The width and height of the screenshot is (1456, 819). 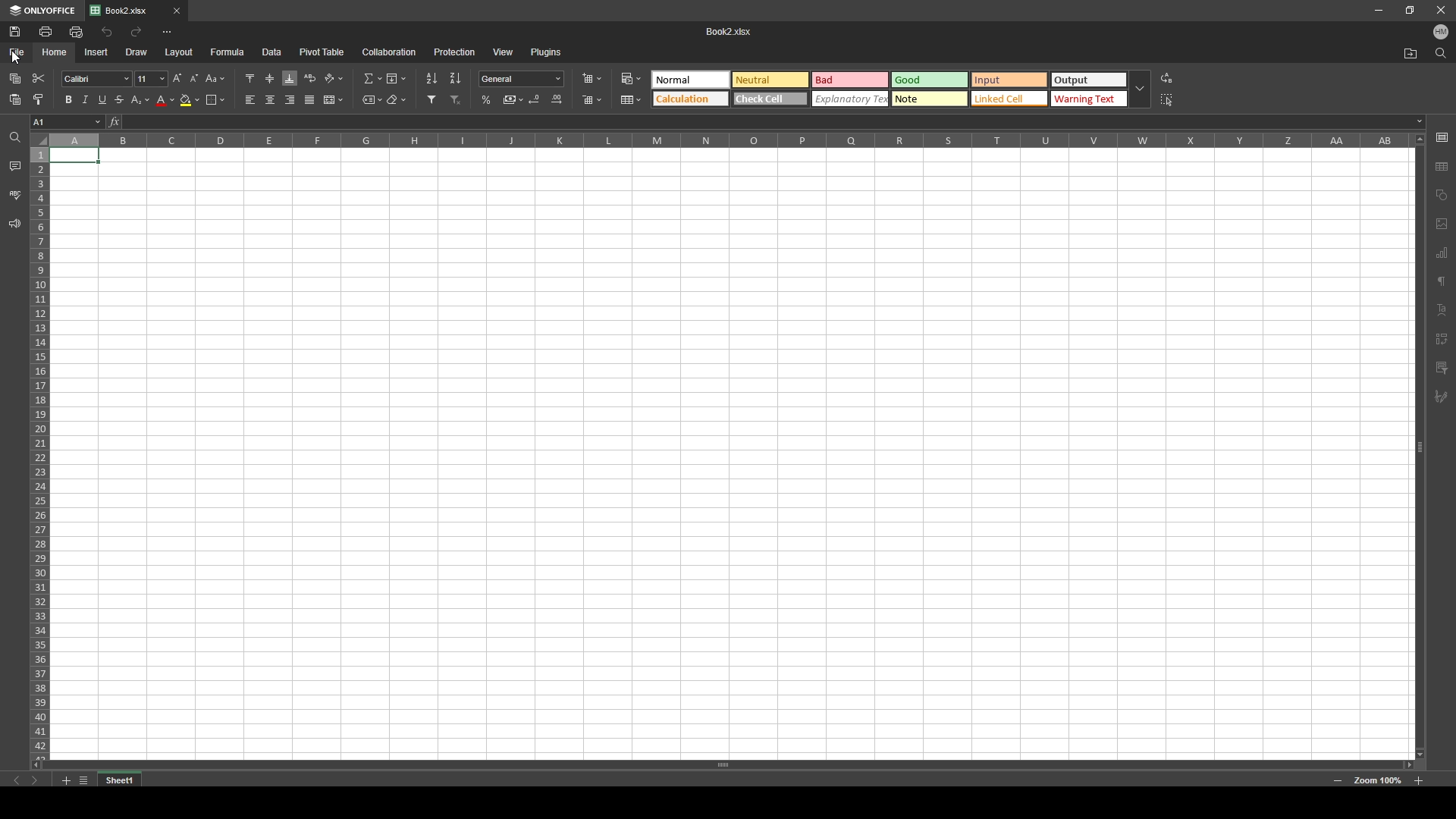 I want to click on Cursor, so click(x=14, y=56).